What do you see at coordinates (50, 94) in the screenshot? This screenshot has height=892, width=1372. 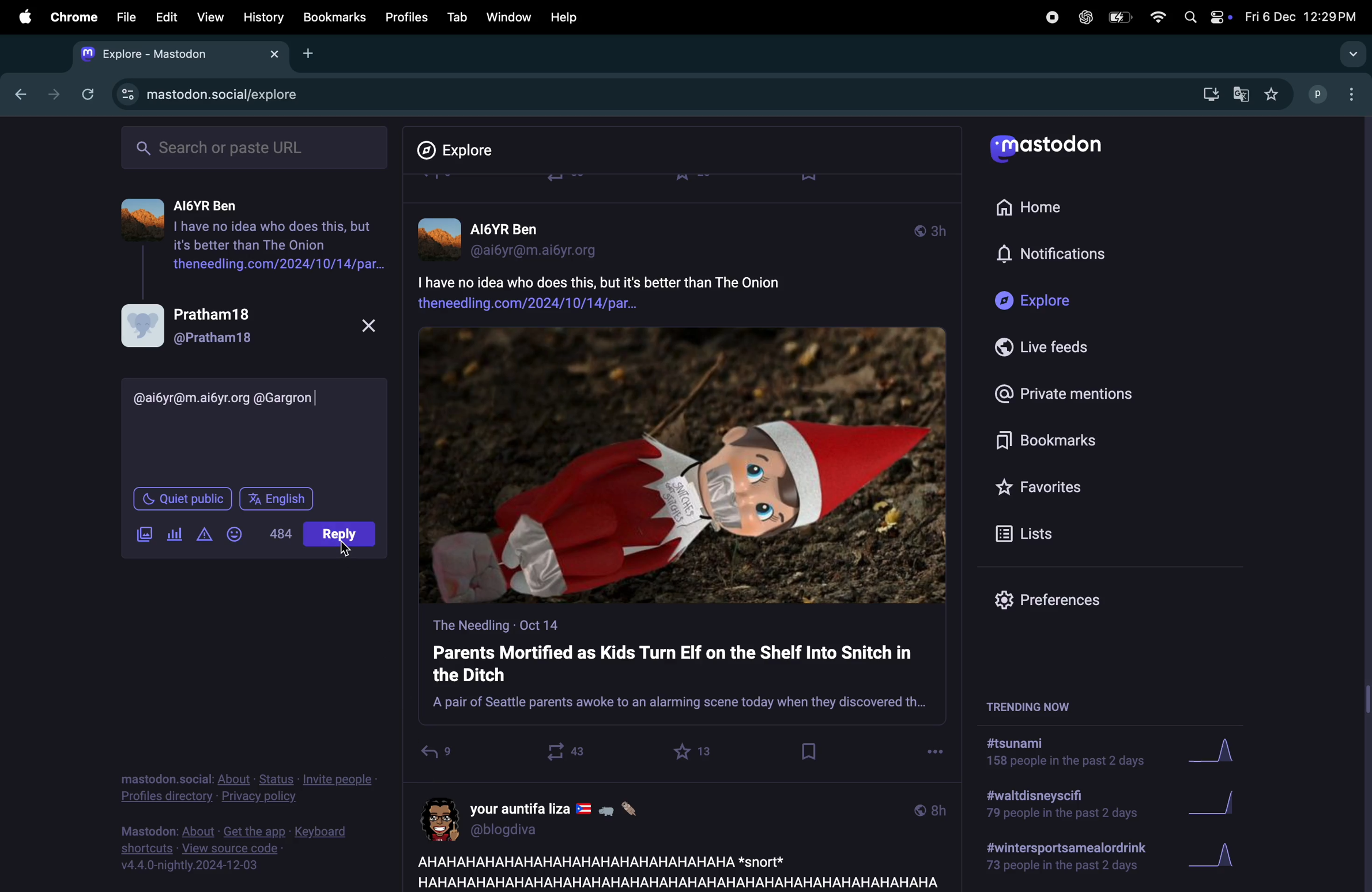 I see `forward` at bounding box center [50, 94].